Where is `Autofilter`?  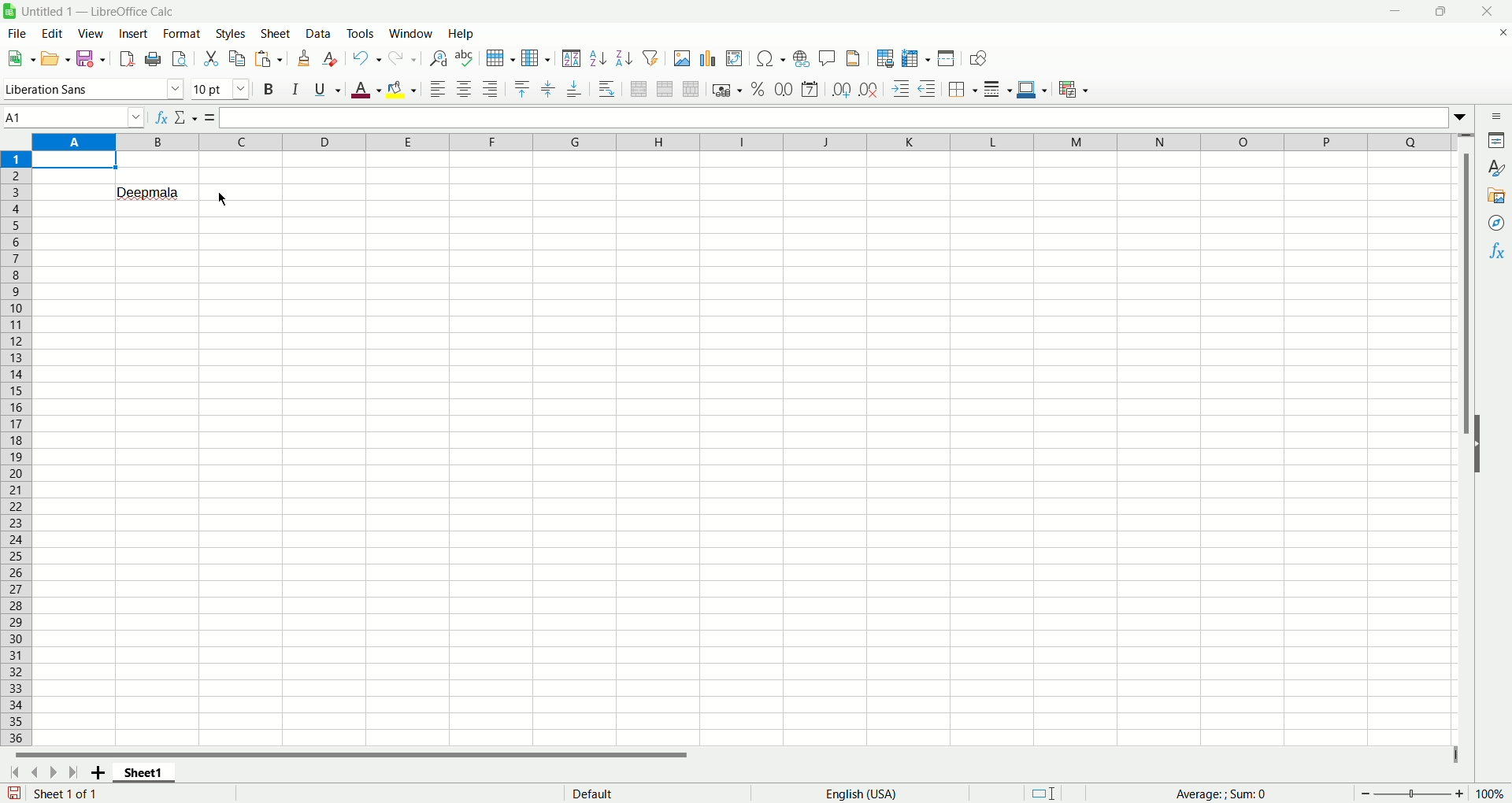
Autofilter is located at coordinates (650, 57).